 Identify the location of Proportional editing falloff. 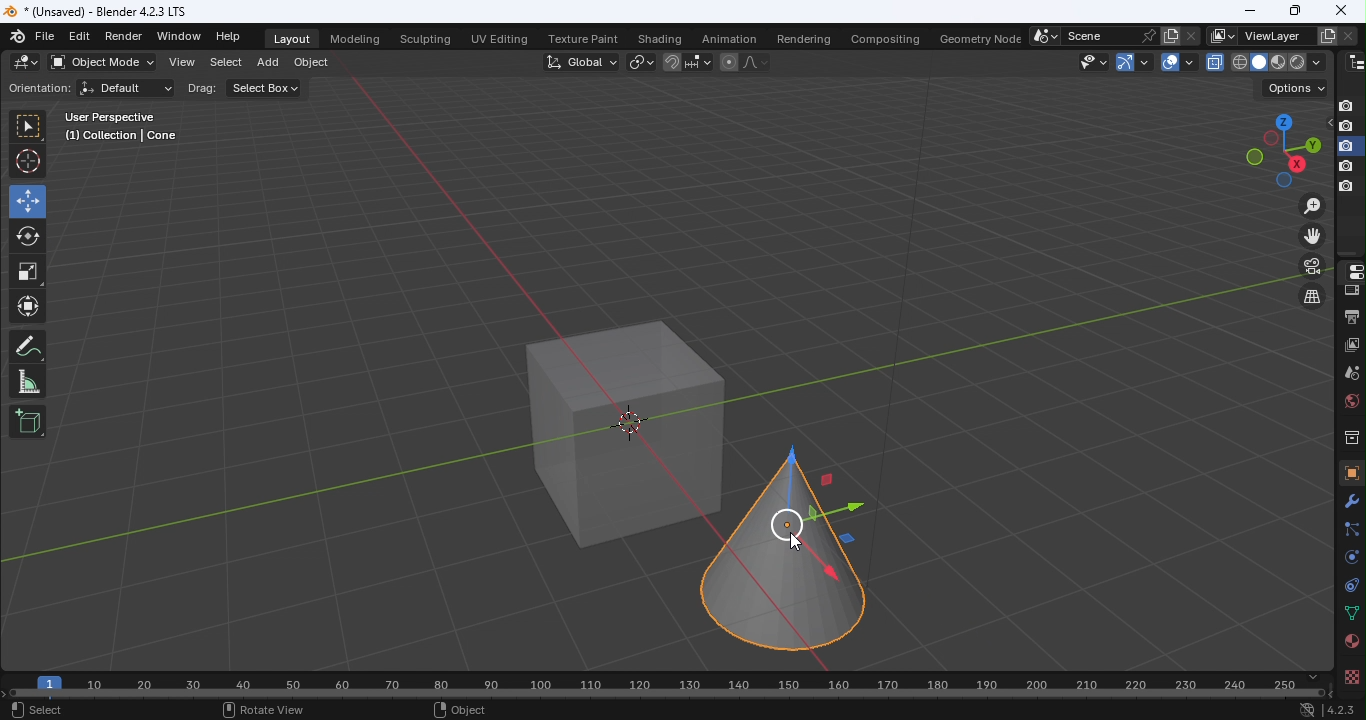
(757, 64).